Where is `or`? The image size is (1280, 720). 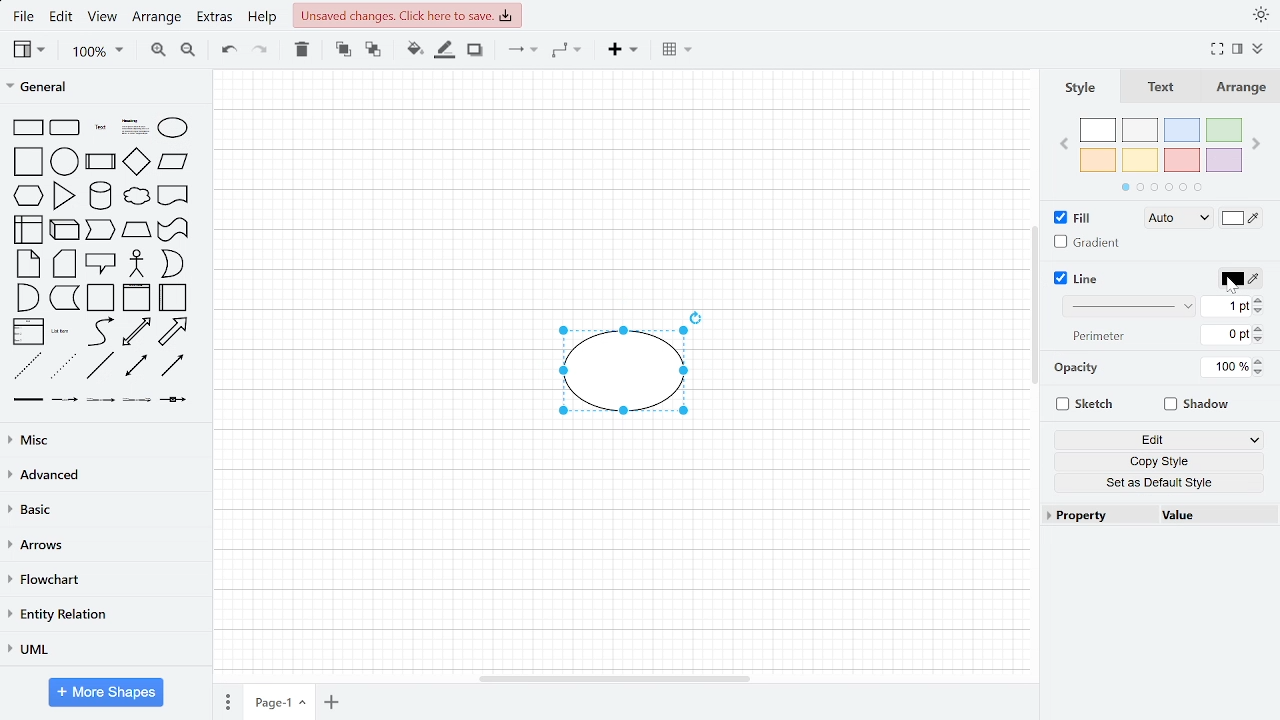 or is located at coordinates (171, 264).